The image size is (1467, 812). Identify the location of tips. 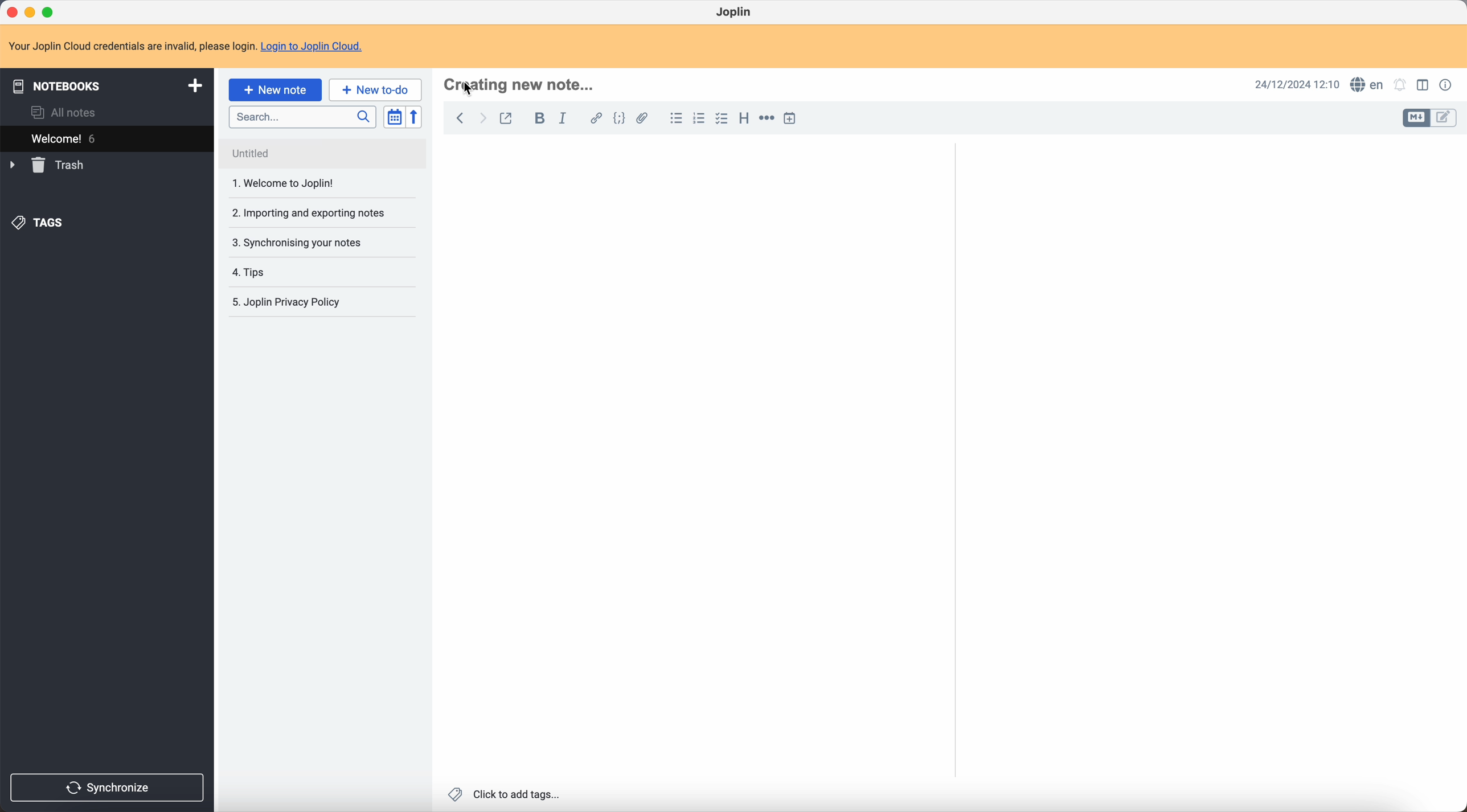
(301, 272).